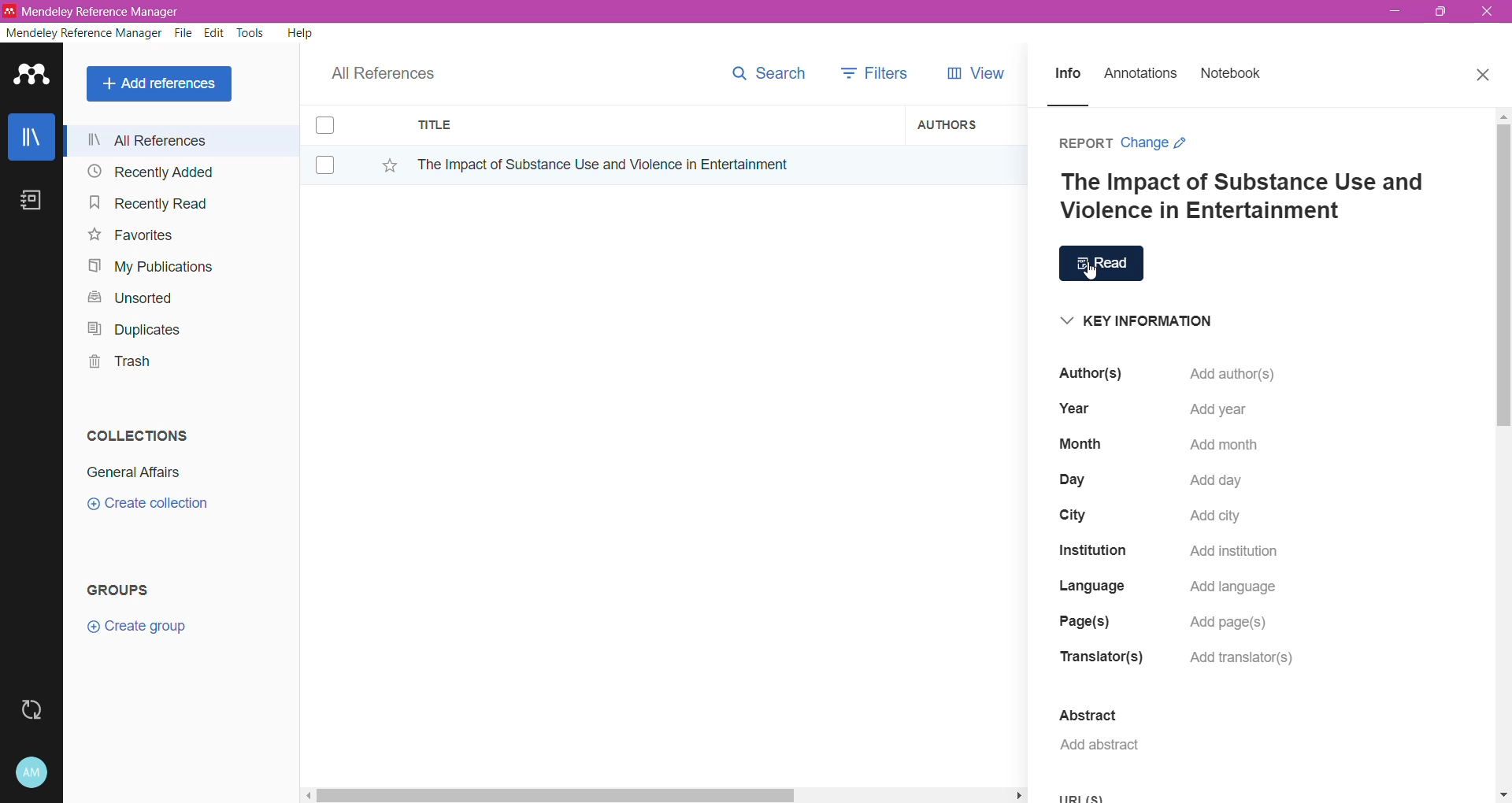  Describe the element at coordinates (1082, 622) in the screenshot. I see `Page(s)` at that location.